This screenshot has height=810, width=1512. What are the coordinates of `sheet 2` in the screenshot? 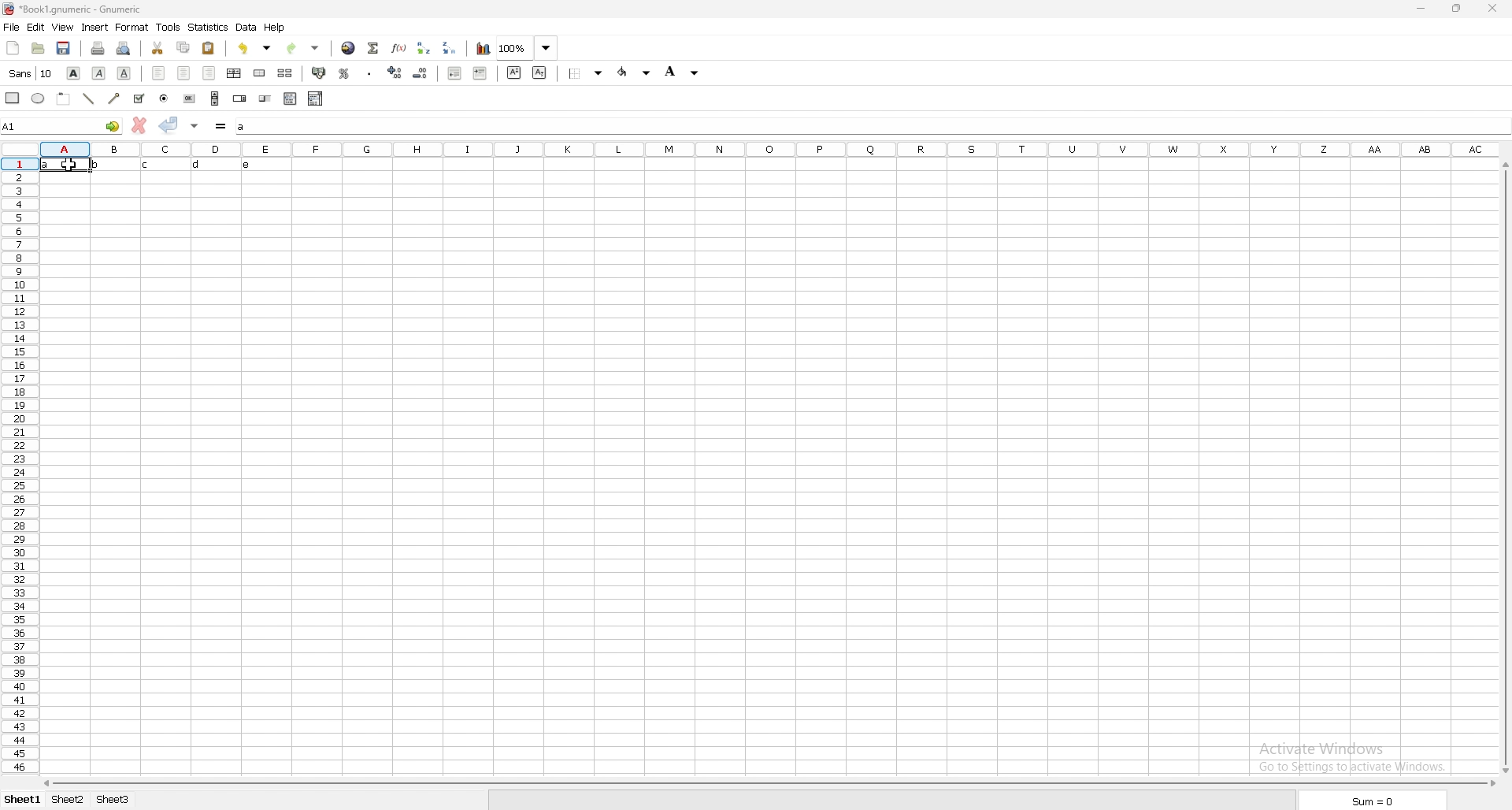 It's located at (69, 800).